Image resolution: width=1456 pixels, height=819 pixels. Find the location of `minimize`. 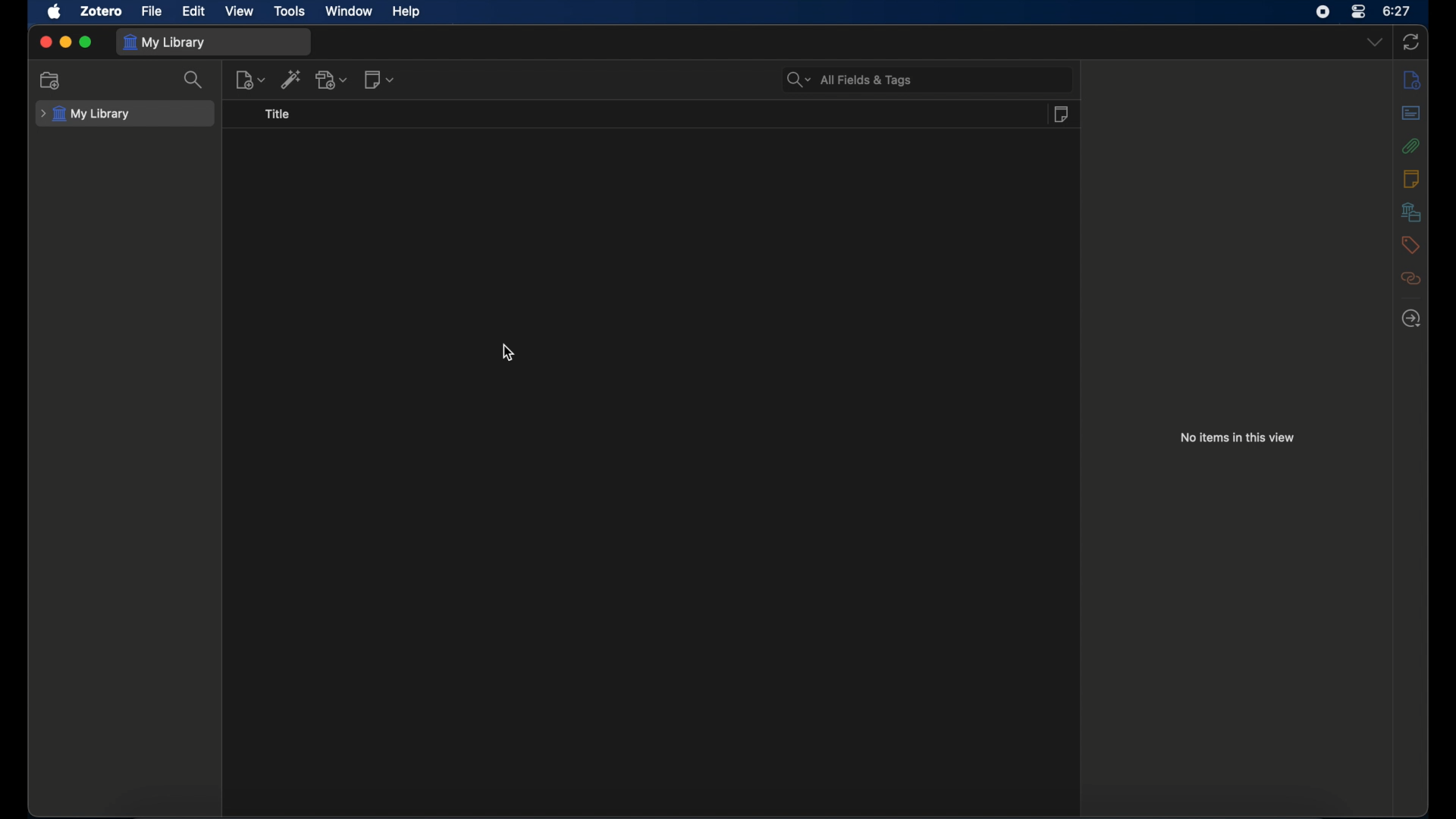

minimize is located at coordinates (67, 42).